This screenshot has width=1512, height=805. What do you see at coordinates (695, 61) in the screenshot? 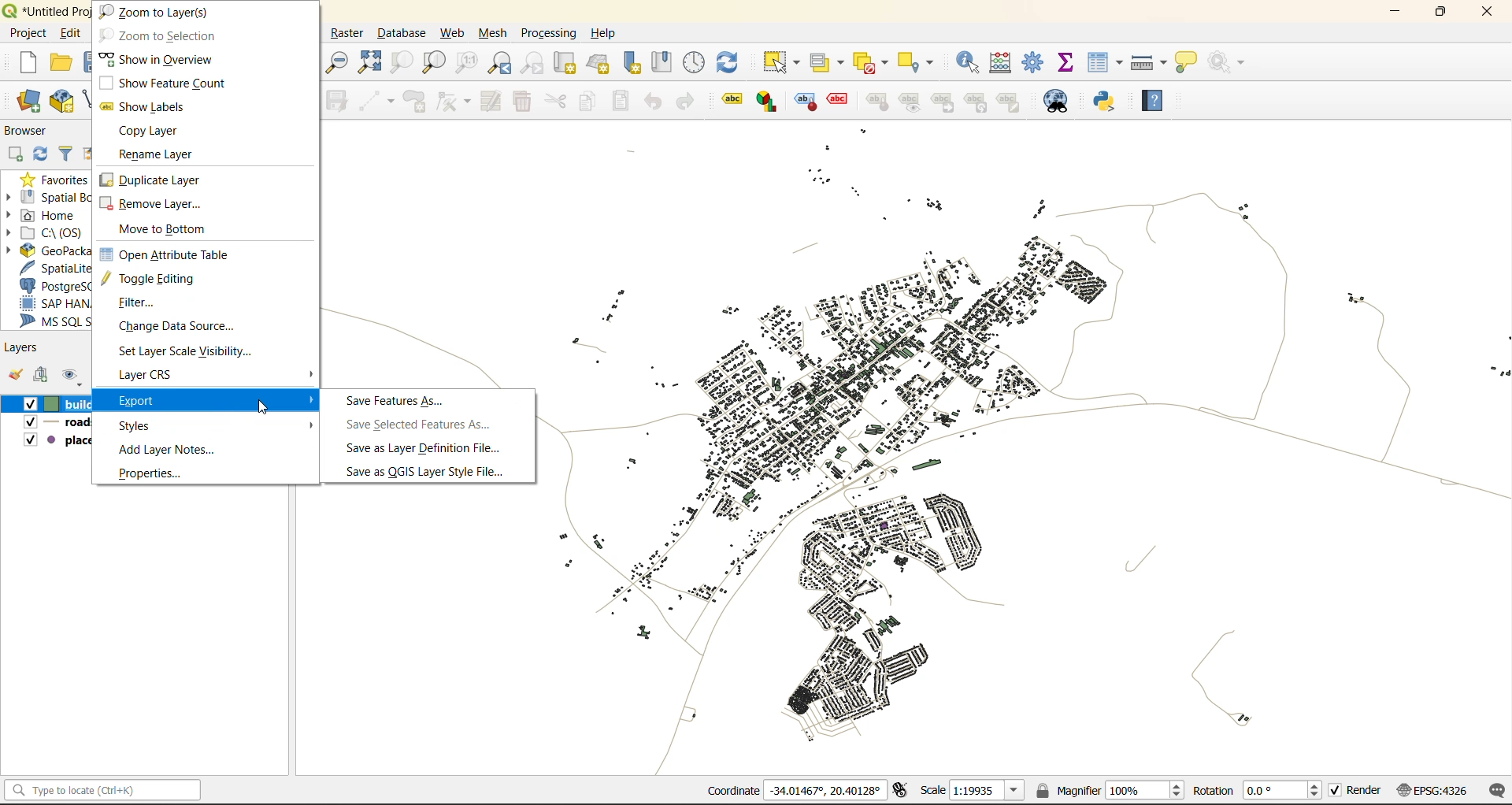
I see `control panel` at bounding box center [695, 61].